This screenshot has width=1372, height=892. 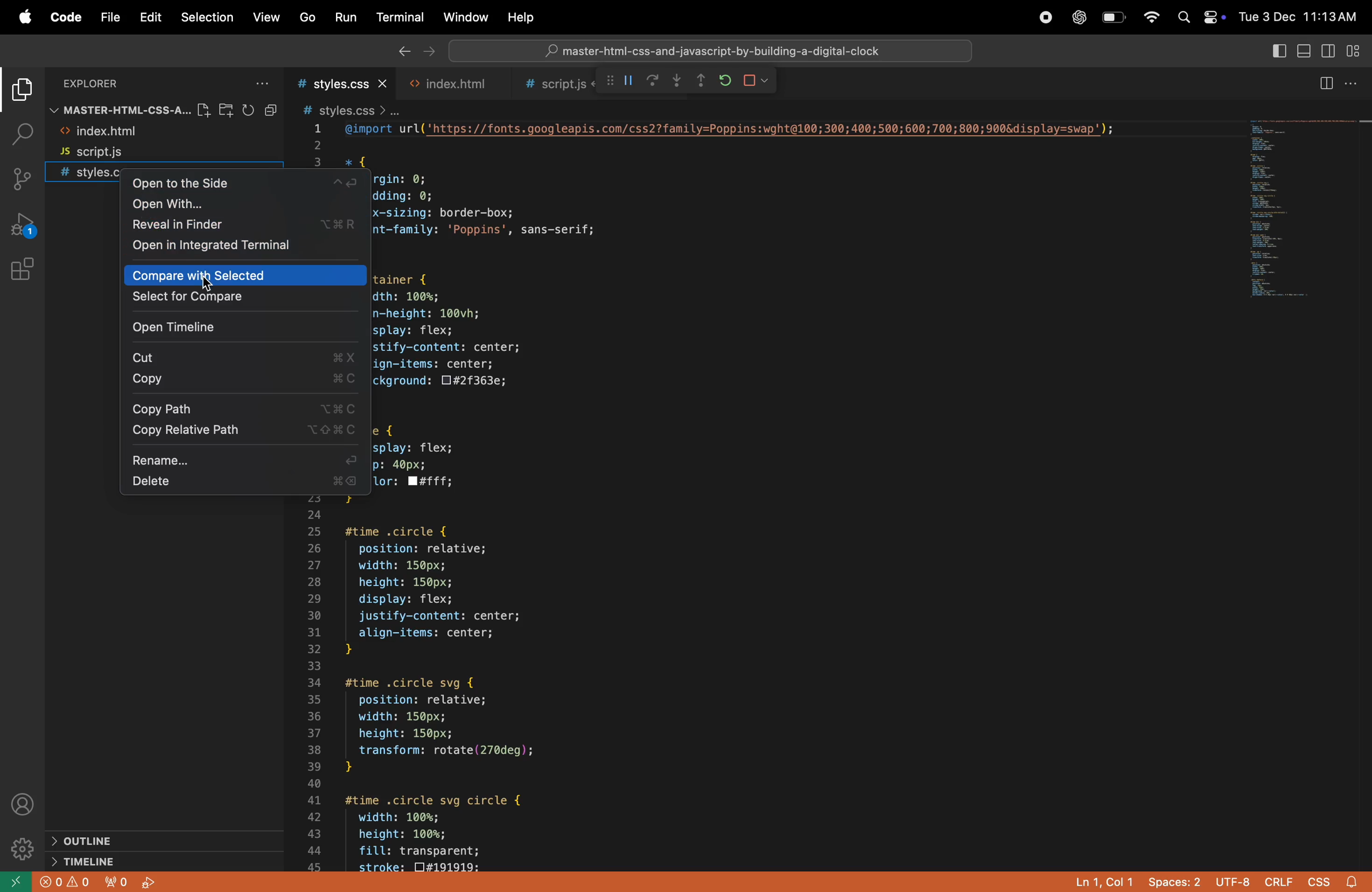 I want to click on ln col 1, so click(x=1103, y=882).